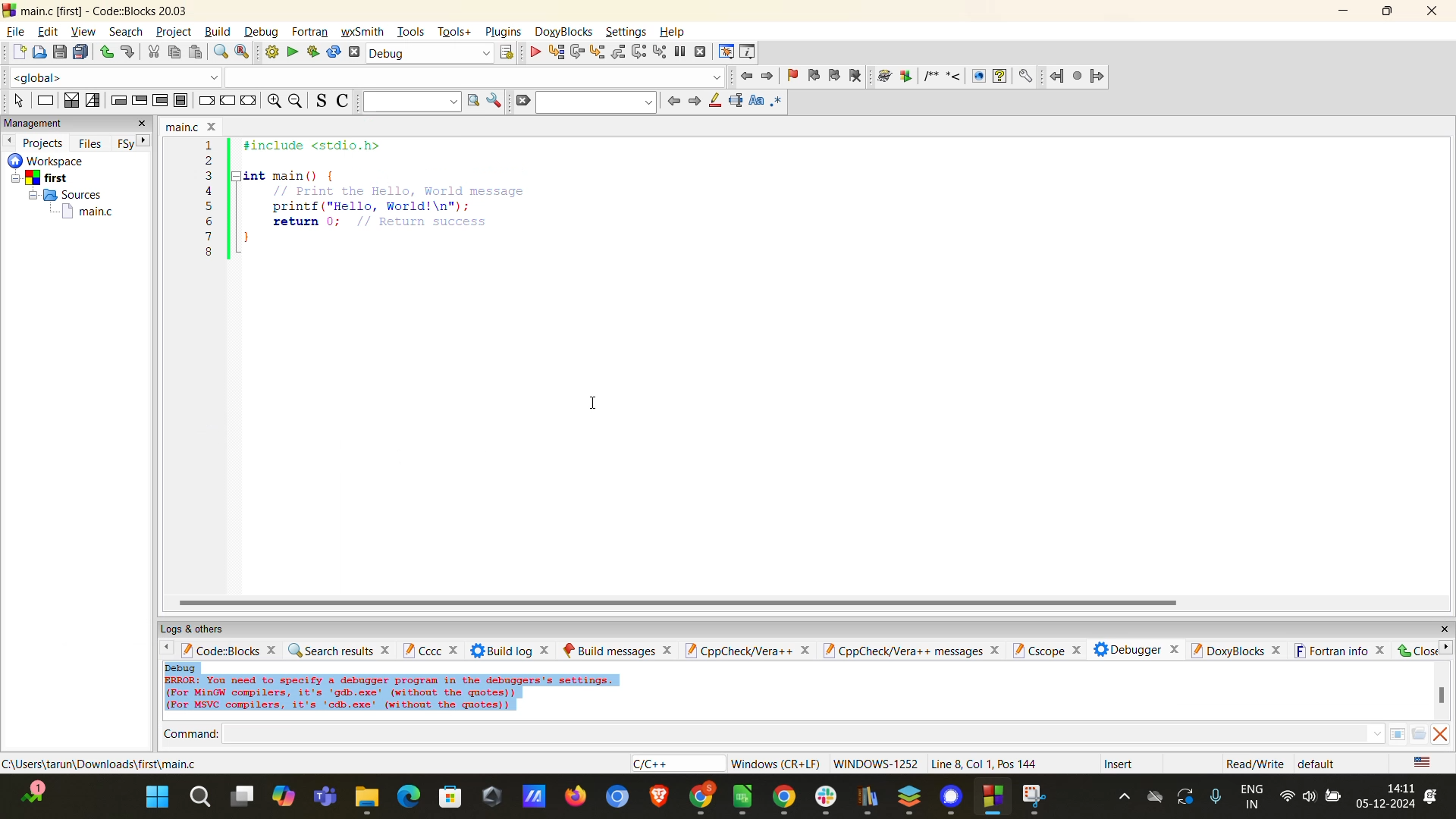  Describe the element at coordinates (312, 54) in the screenshot. I see `run and build` at that location.